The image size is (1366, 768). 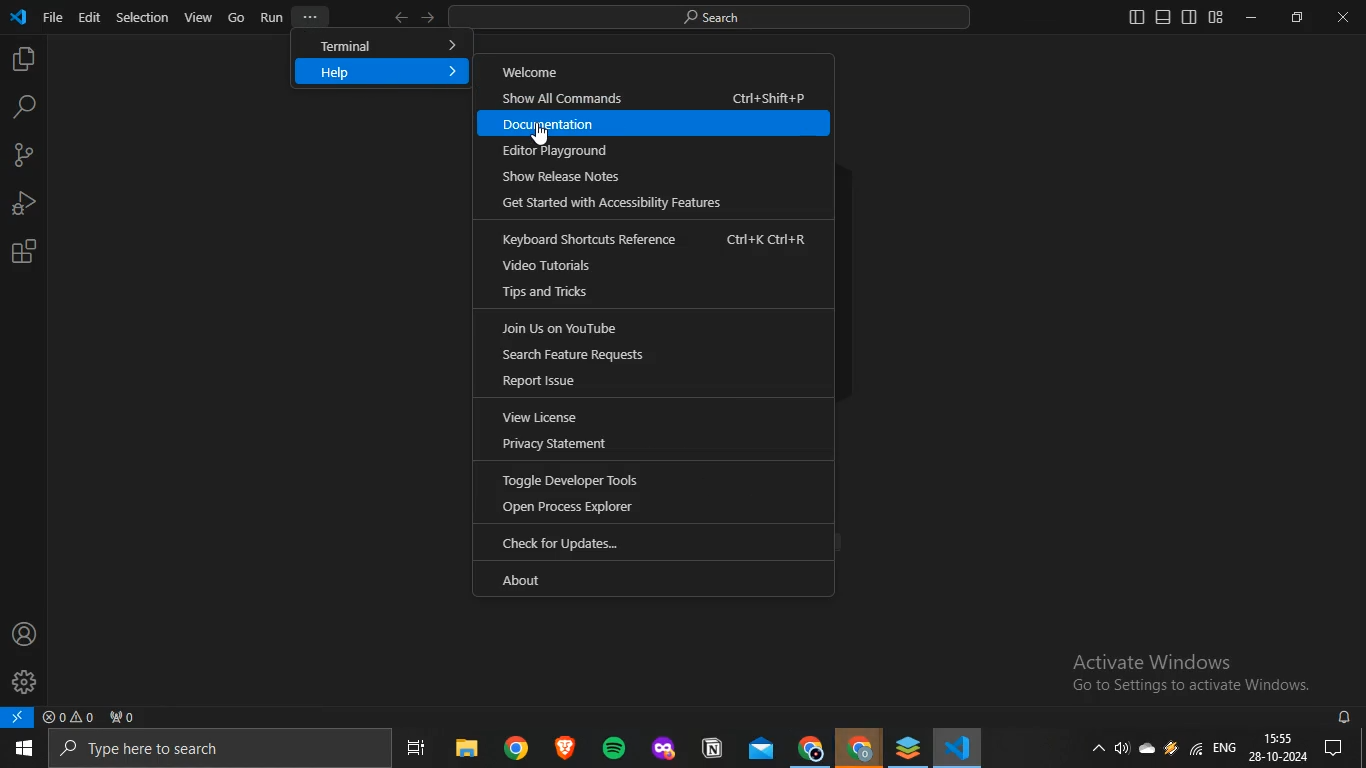 I want to click on source control, so click(x=21, y=156).